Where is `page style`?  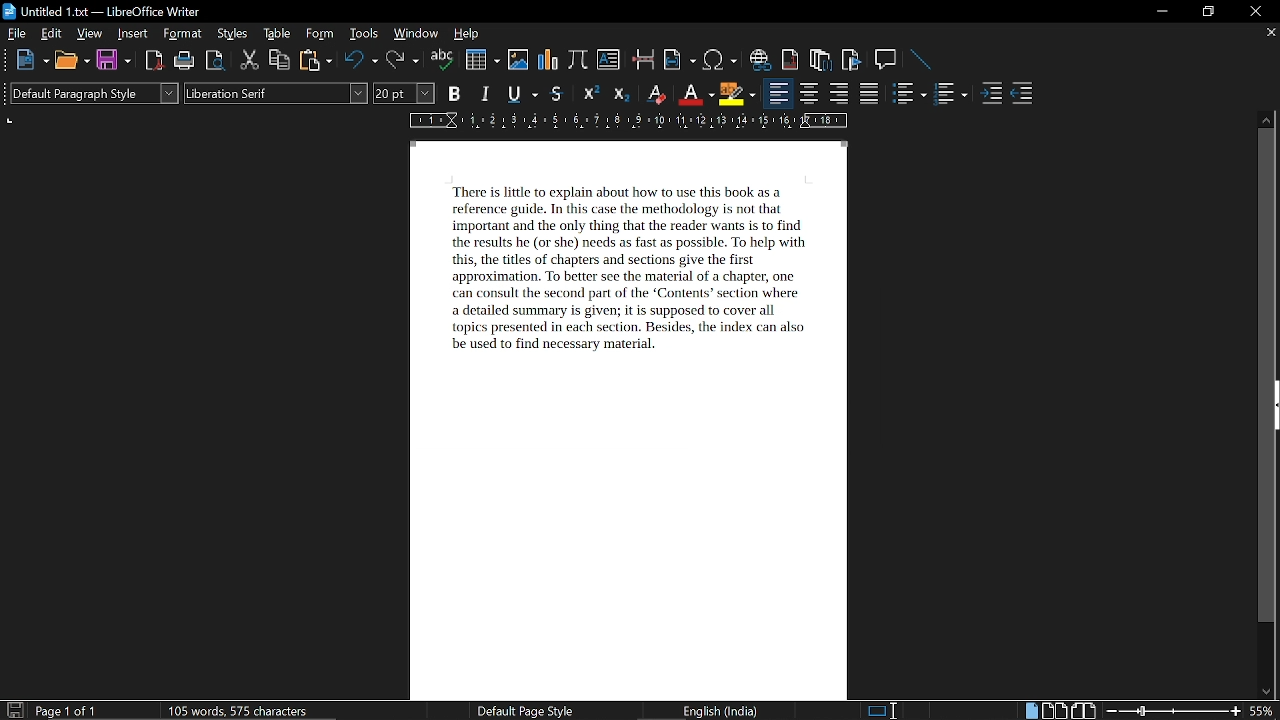 page style is located at coordinates (522, 710).